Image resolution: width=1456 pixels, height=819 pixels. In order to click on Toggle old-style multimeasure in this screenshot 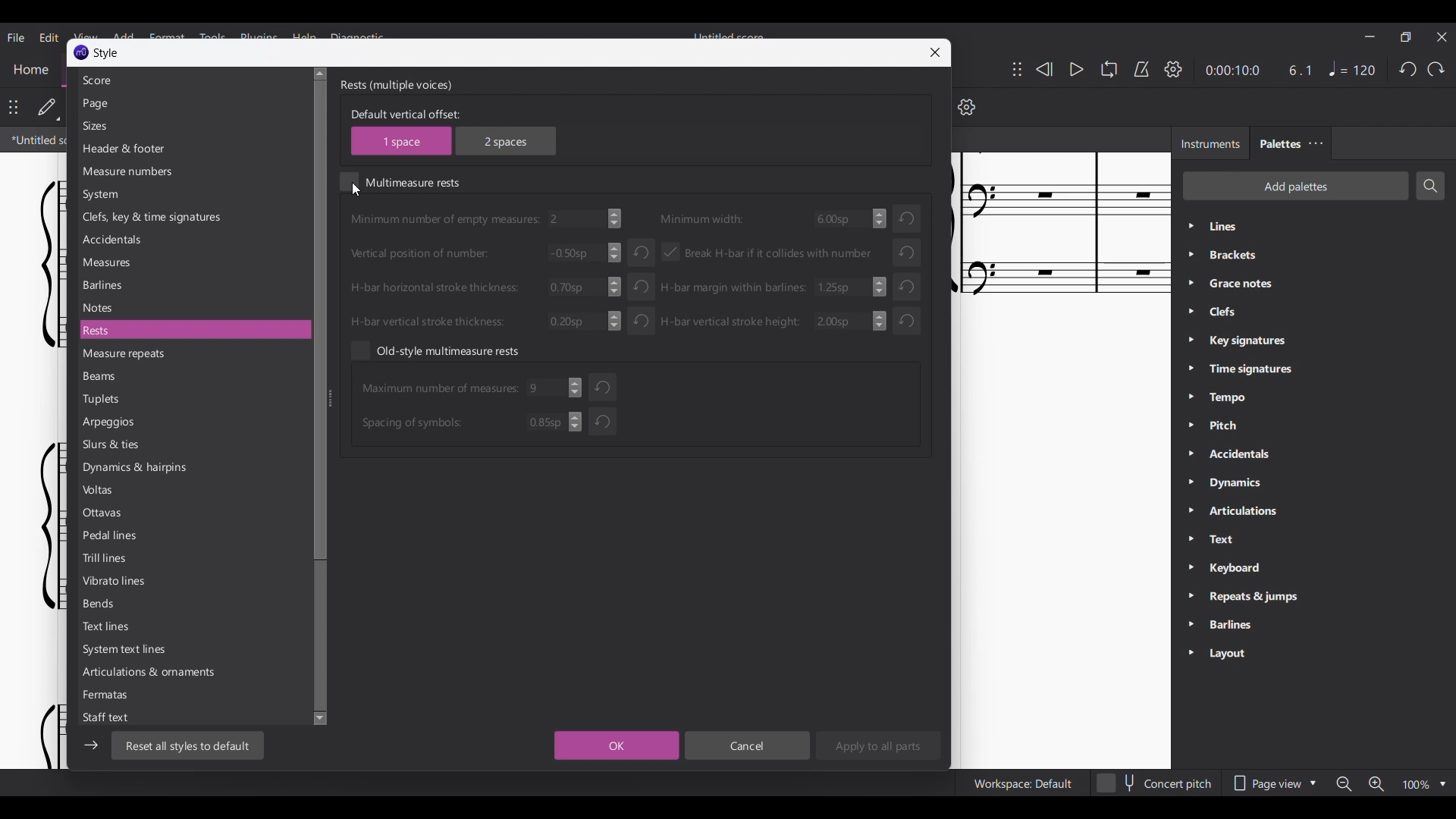, I will do `click(435, 350)`.